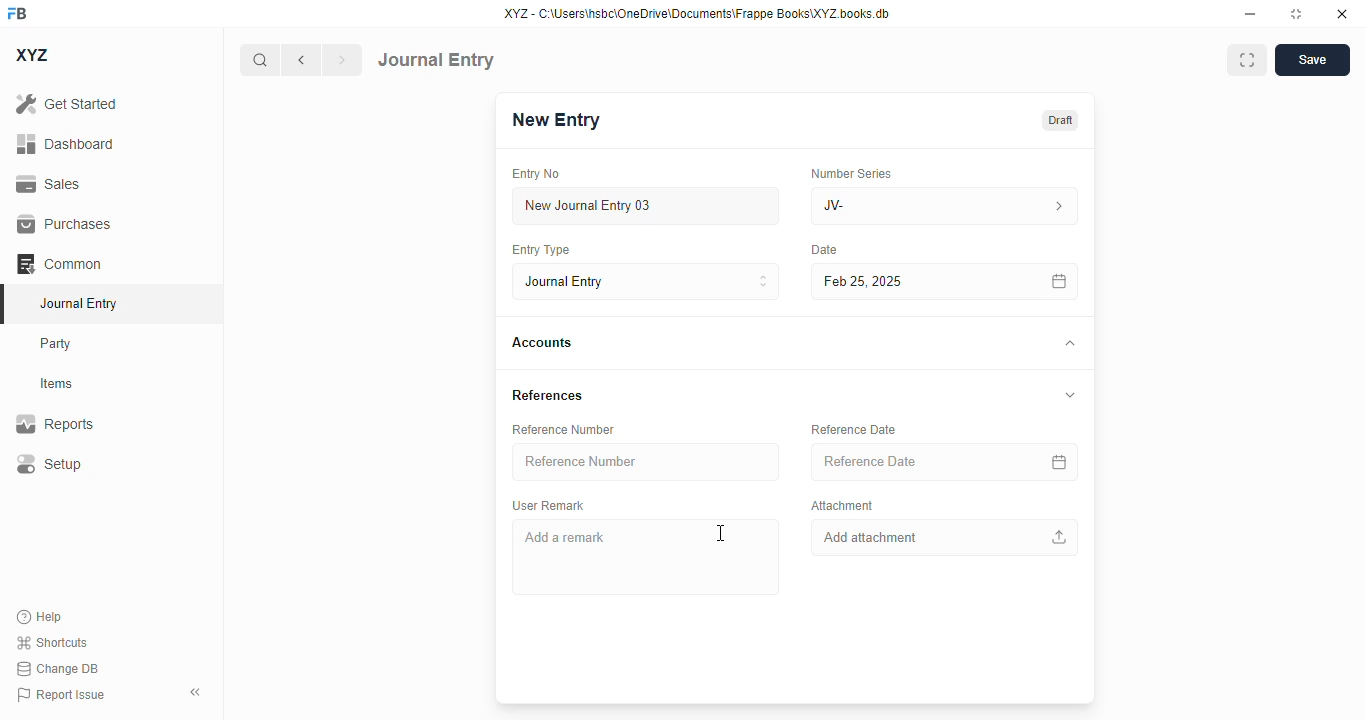 This screenshot has height=720, width=1366. Describe the element at coordinates (643, 281) in the screenshot. I see `entry type` at that location.